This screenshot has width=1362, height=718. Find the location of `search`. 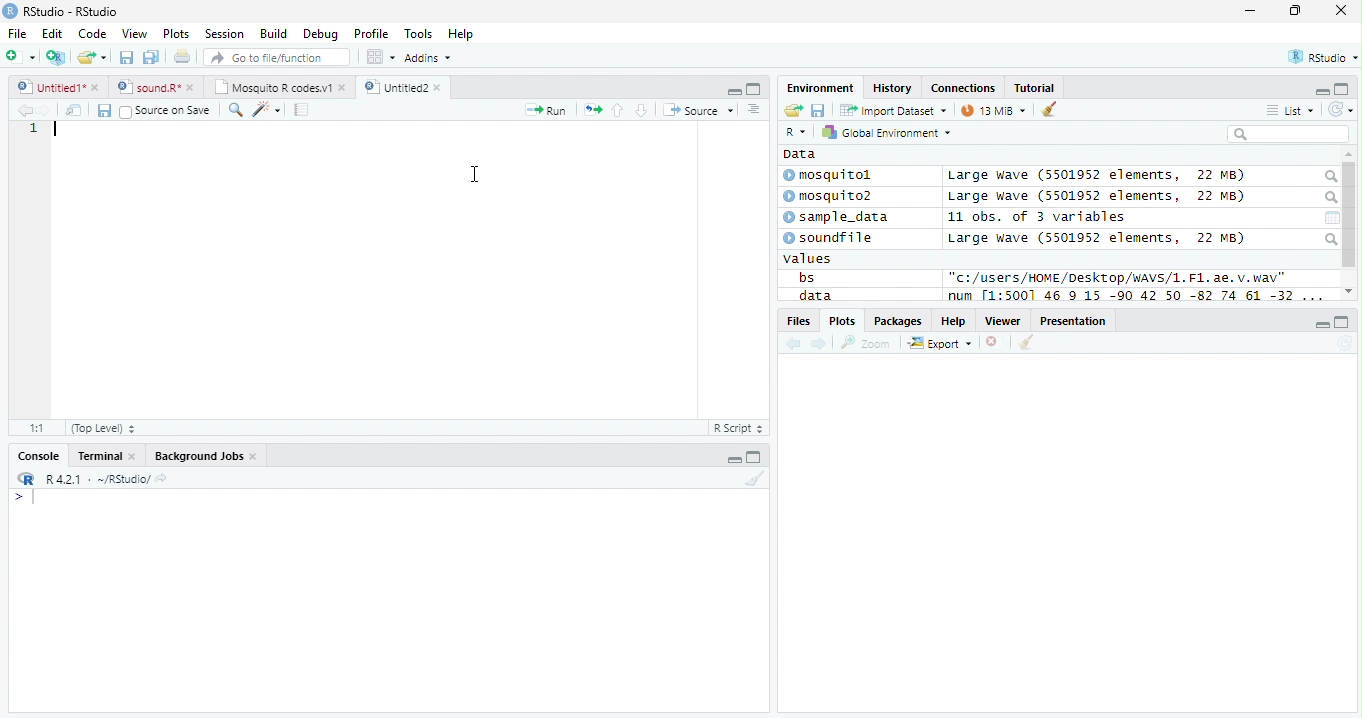

search is located at coordinates (1330, 239).